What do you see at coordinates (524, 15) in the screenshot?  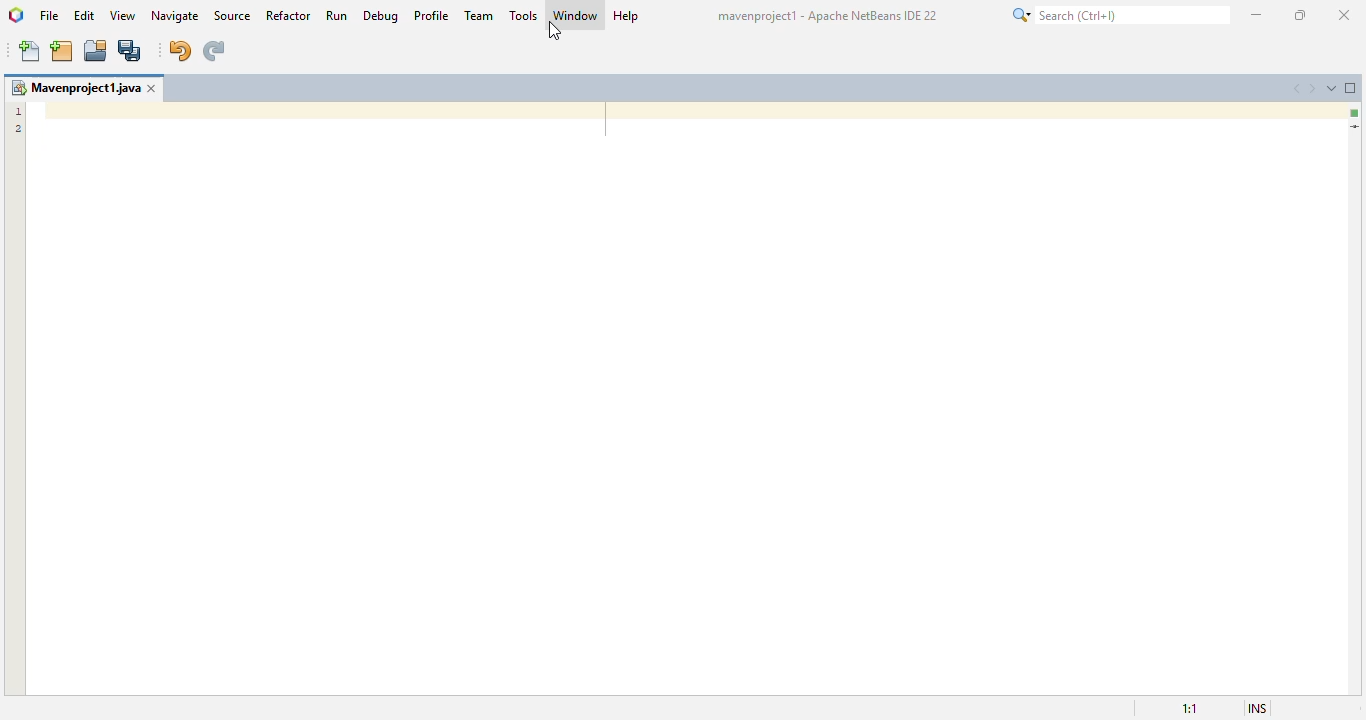 I see `tools` at bounding box center [524, 15].